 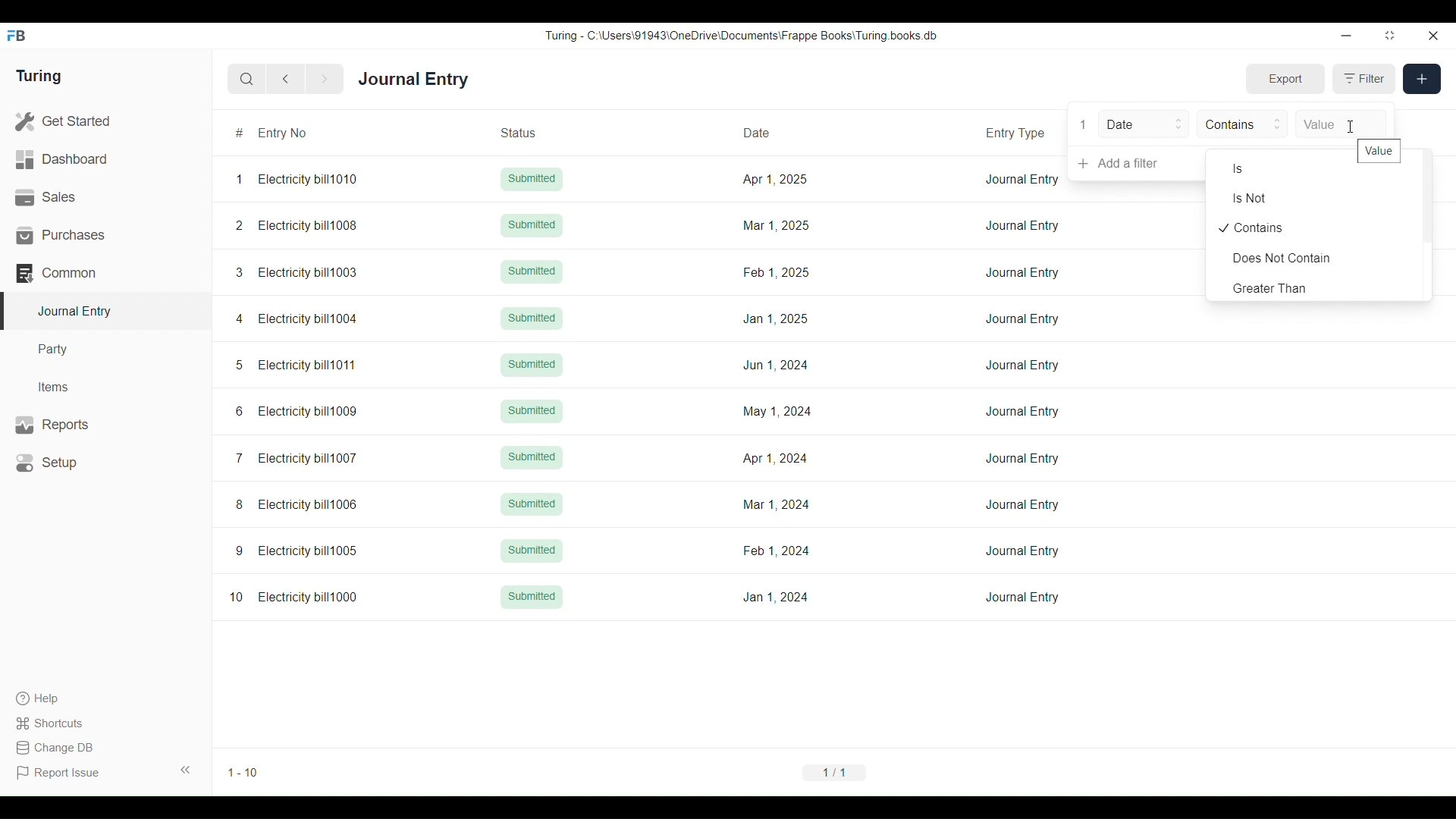 What do you see at coordinates (15, 36) in the screenshot?
I see `Frappe Books logo` at bounding box center [15, 36].